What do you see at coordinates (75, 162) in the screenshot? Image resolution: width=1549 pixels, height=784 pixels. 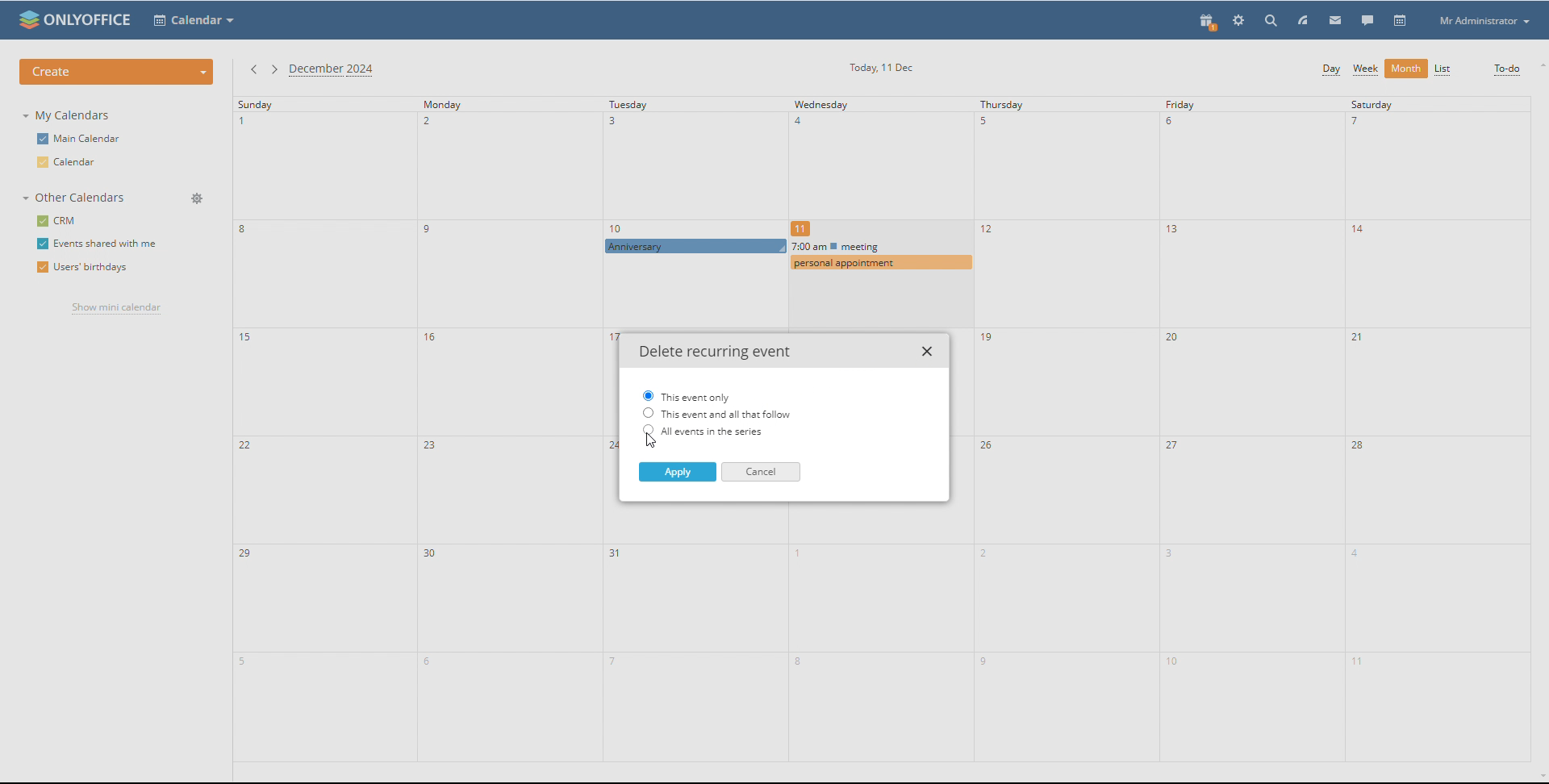 I see `calendar` at bounding box center [75, 162].